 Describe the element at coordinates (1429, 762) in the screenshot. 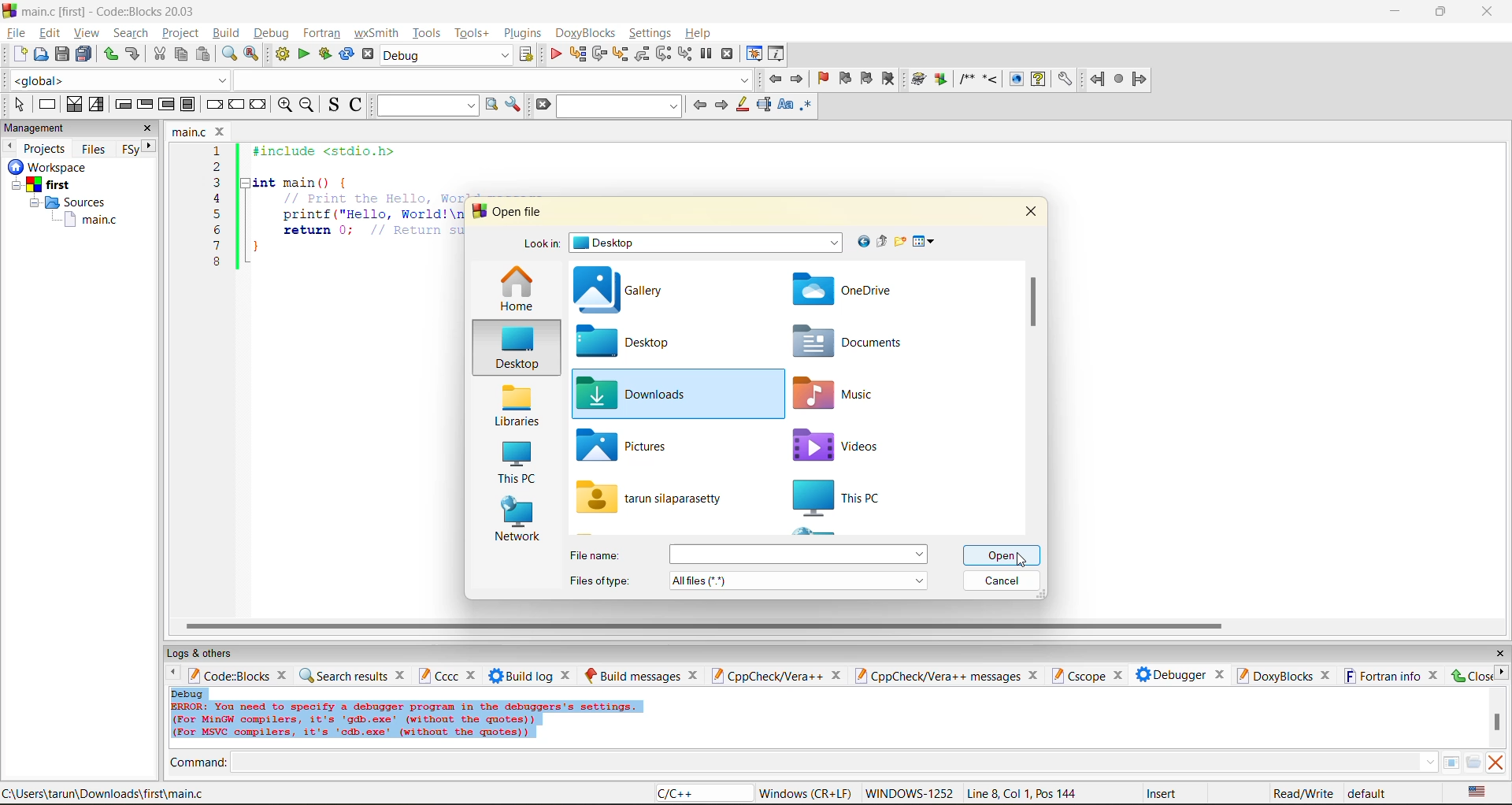

I see `down` at that location.